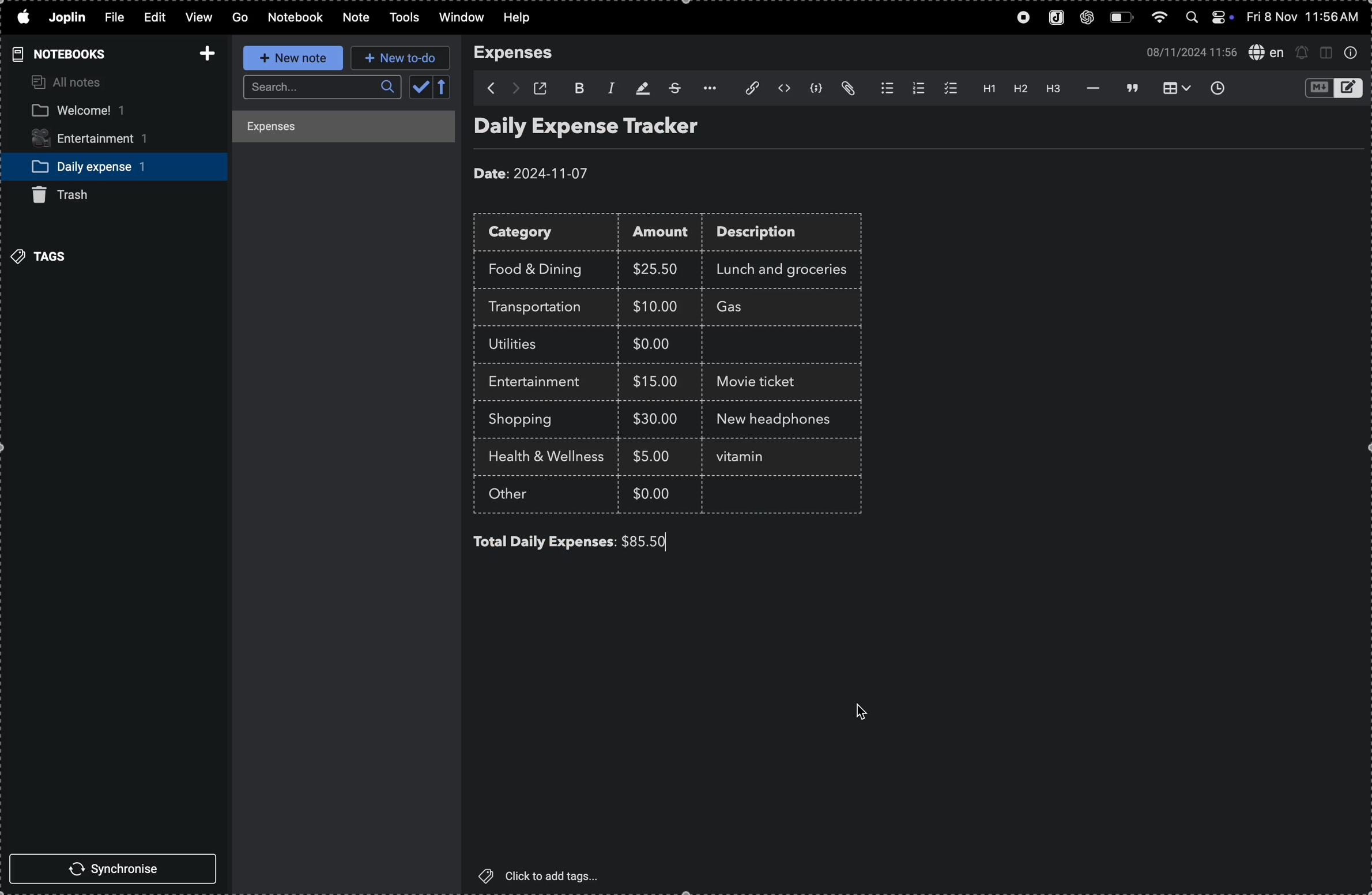  Describe the element at coordinates (761, 383) in the screenshot. I see `movie ticket` at that location.